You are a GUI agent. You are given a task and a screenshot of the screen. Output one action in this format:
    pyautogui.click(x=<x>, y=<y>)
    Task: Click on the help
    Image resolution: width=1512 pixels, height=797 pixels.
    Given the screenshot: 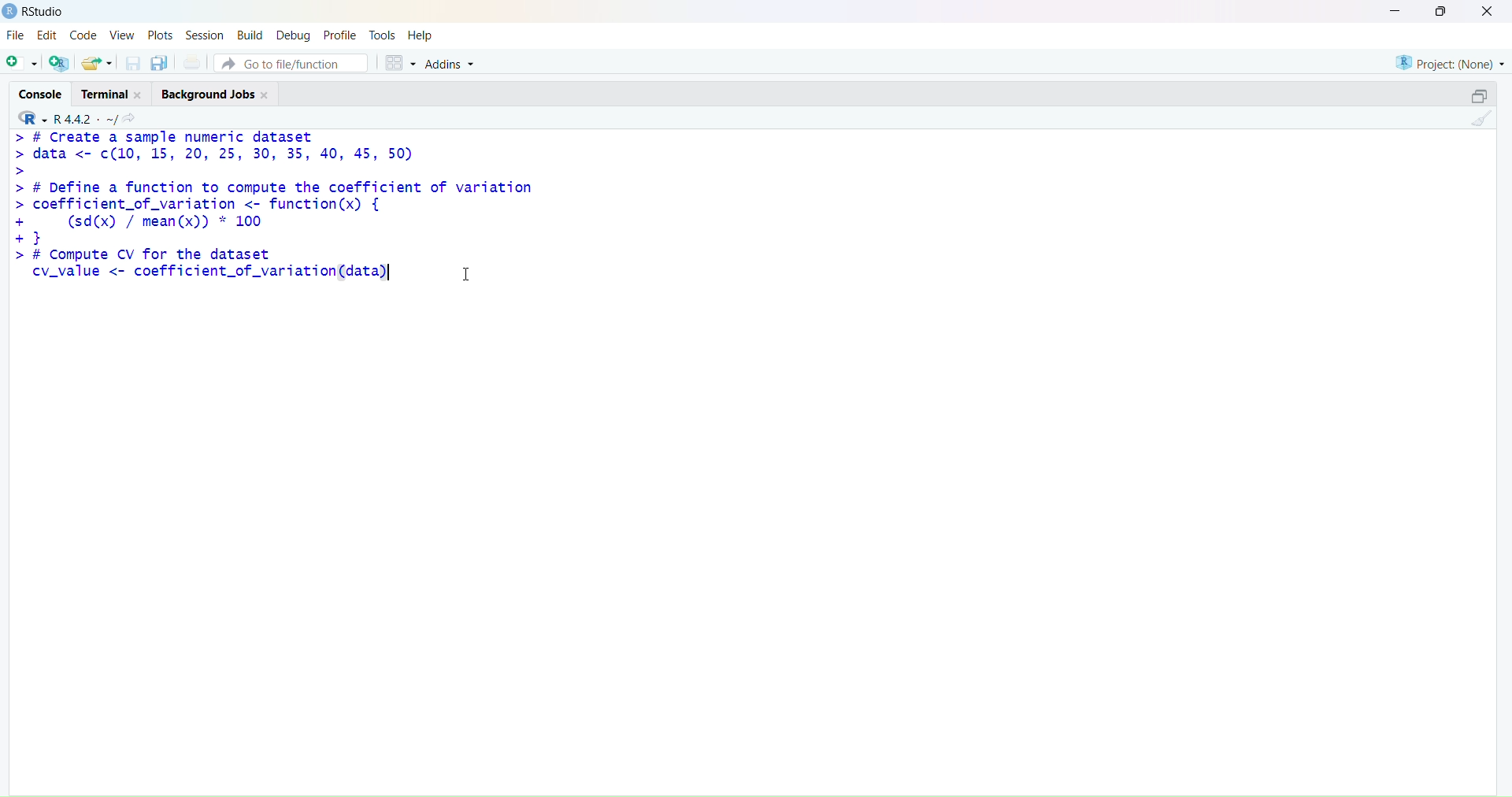 What is the action you would take?
    pyautogui.click(x=421, y=36)
    